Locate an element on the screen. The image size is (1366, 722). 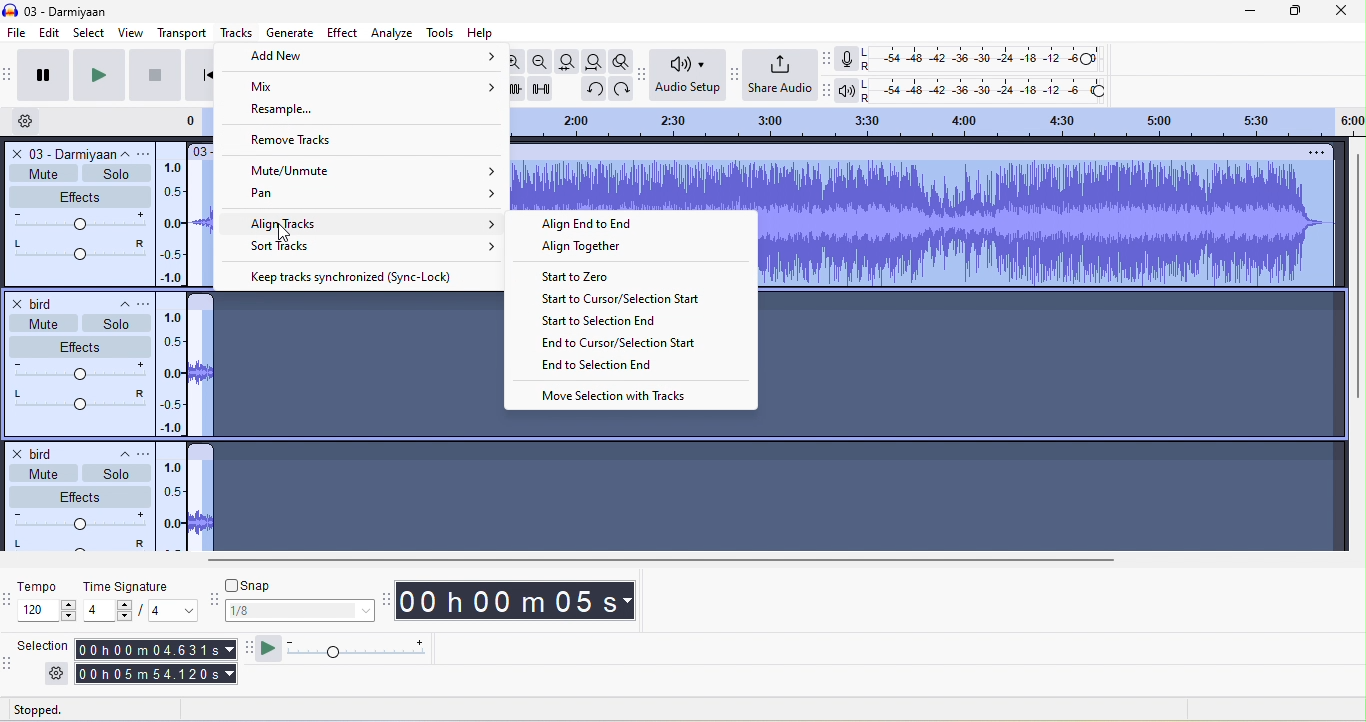
bird is located at coordinates (43, 451).